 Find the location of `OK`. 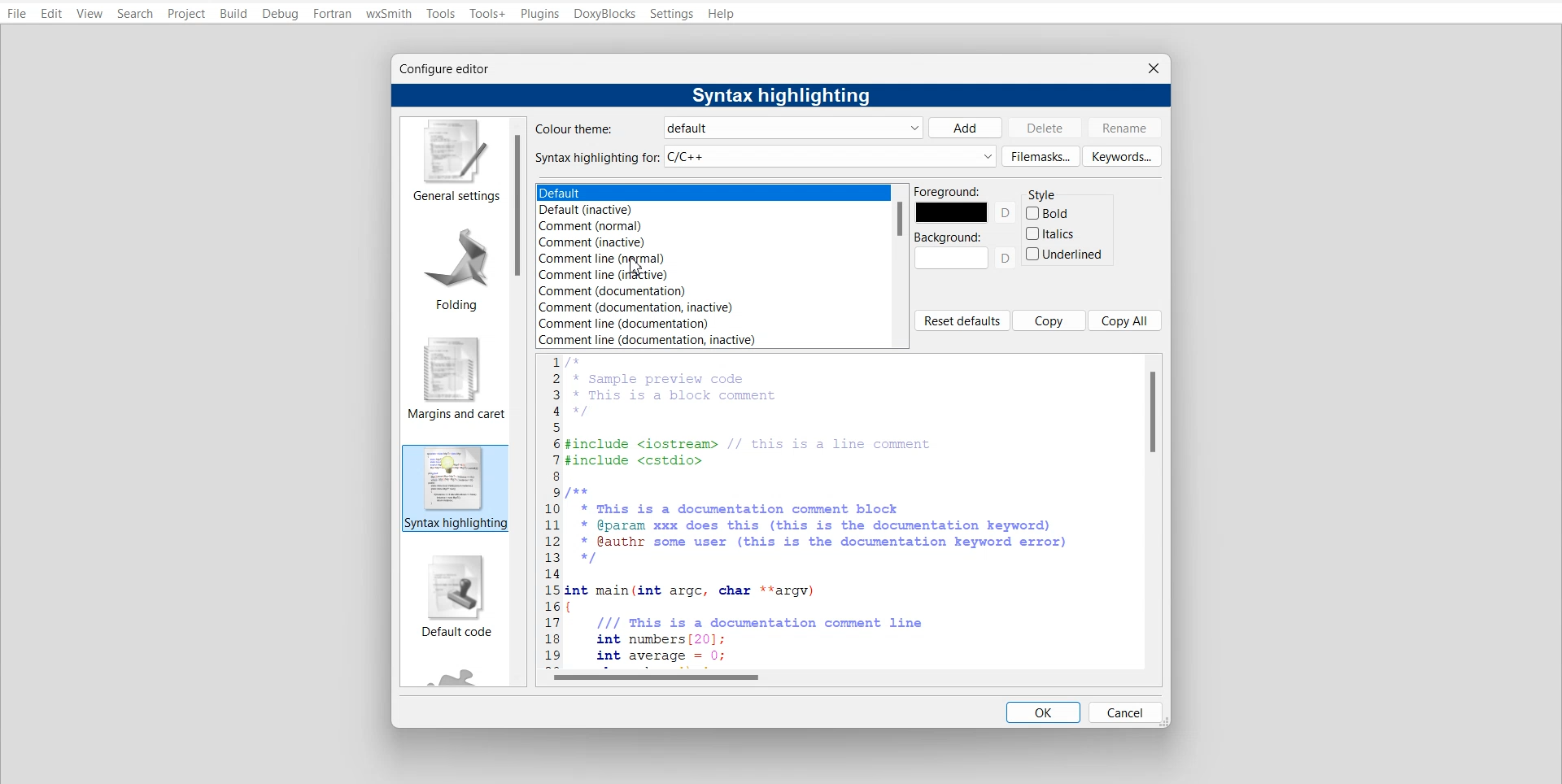

OK is located at coordinates (1043, 712).